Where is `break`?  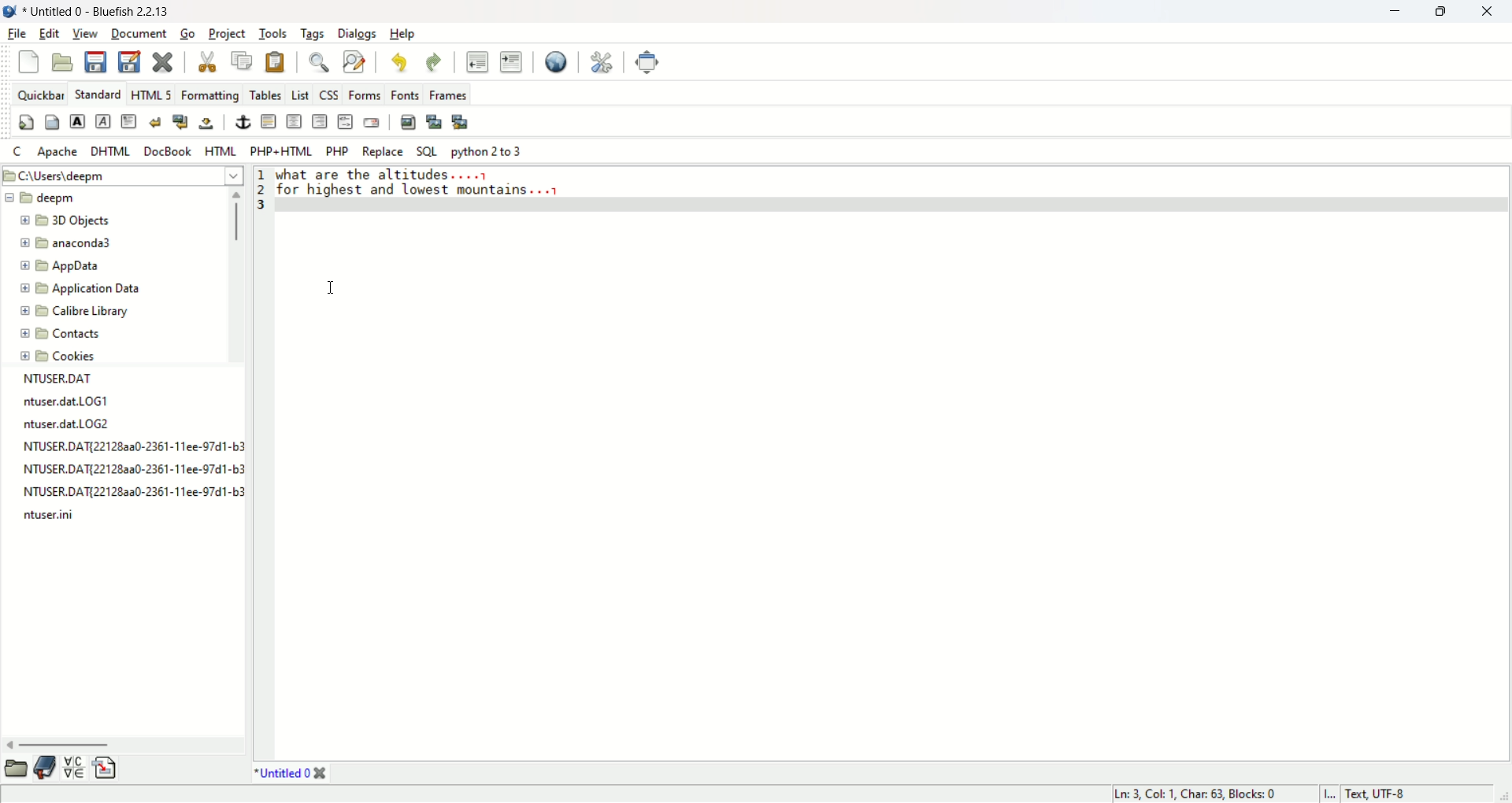
break is located at coordinates (157, 124).